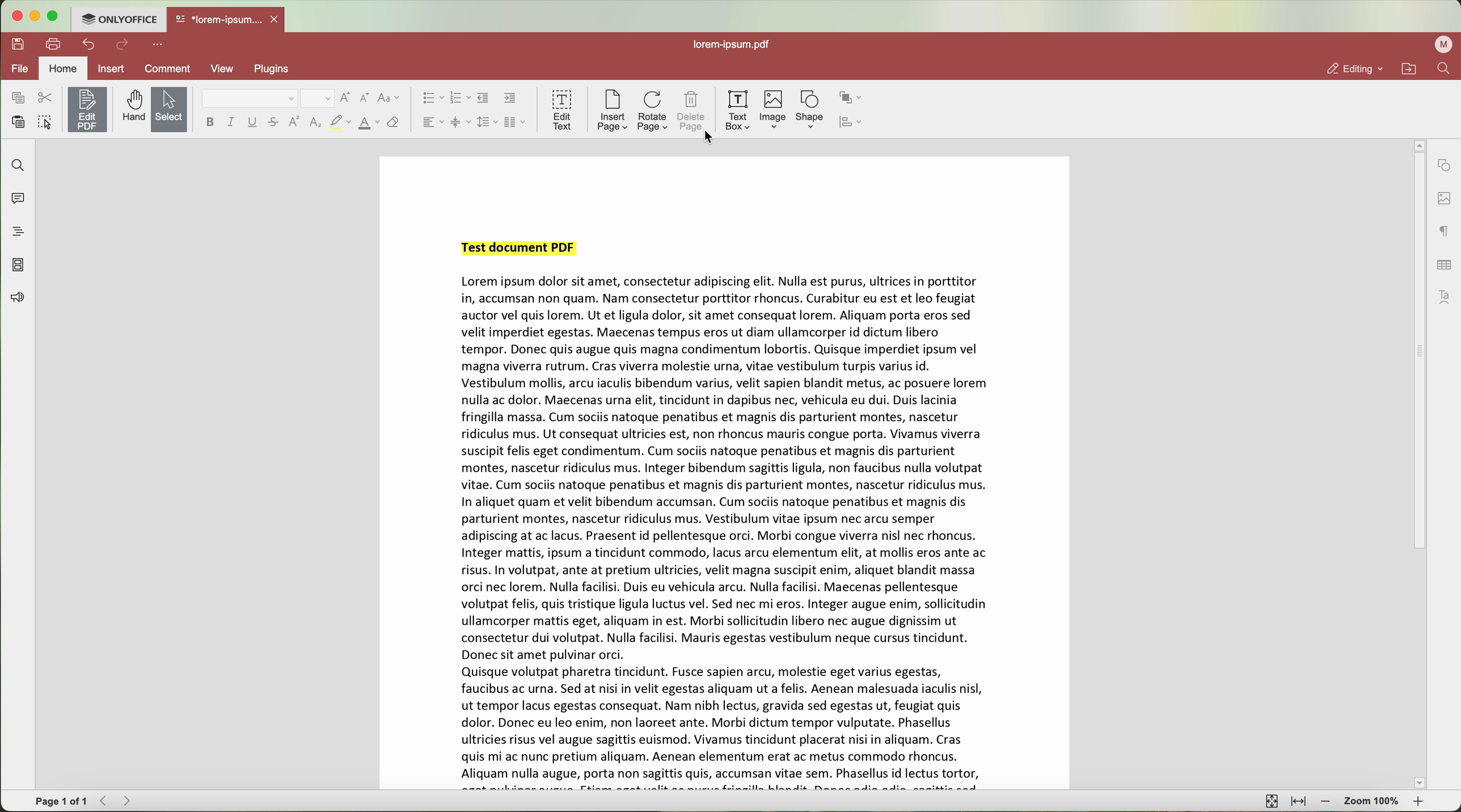  Describe the element at coordinates (54, 44) in the screenshot. I see `print` at that location.